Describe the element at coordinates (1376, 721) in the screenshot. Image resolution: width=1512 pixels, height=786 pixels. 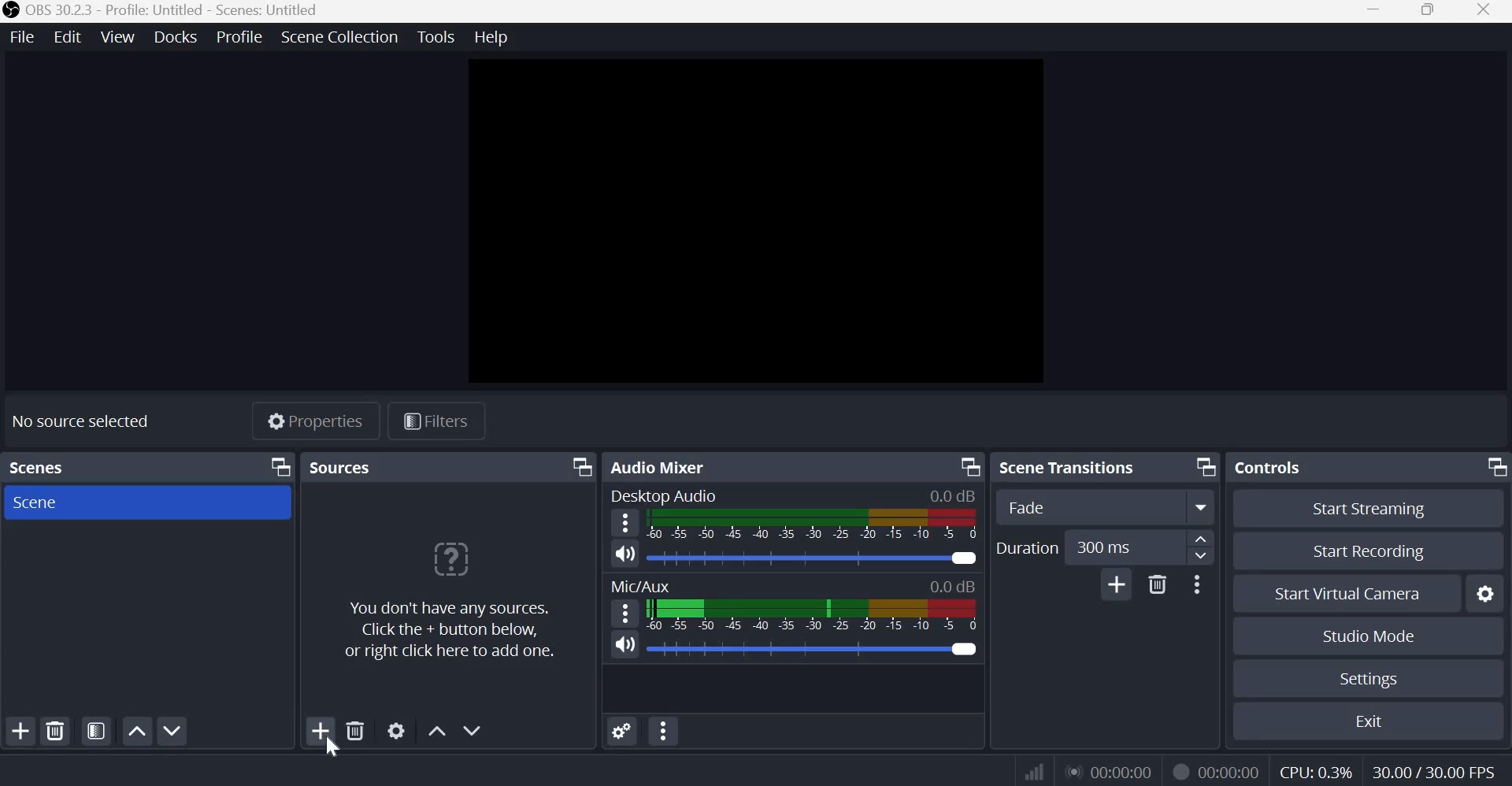
I see `Exit` at that location.